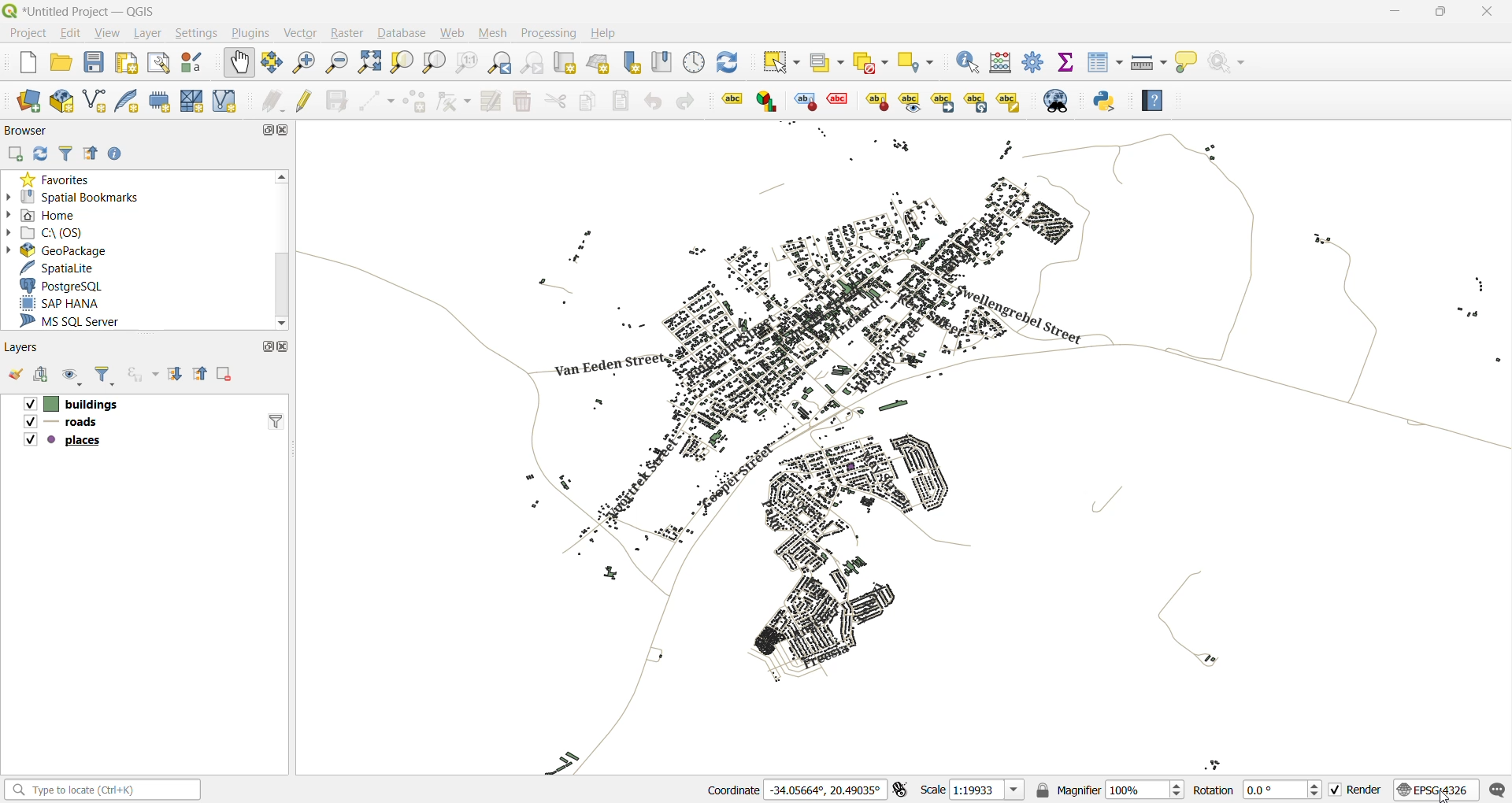  I want to click on rotation, so click(1258, 790).